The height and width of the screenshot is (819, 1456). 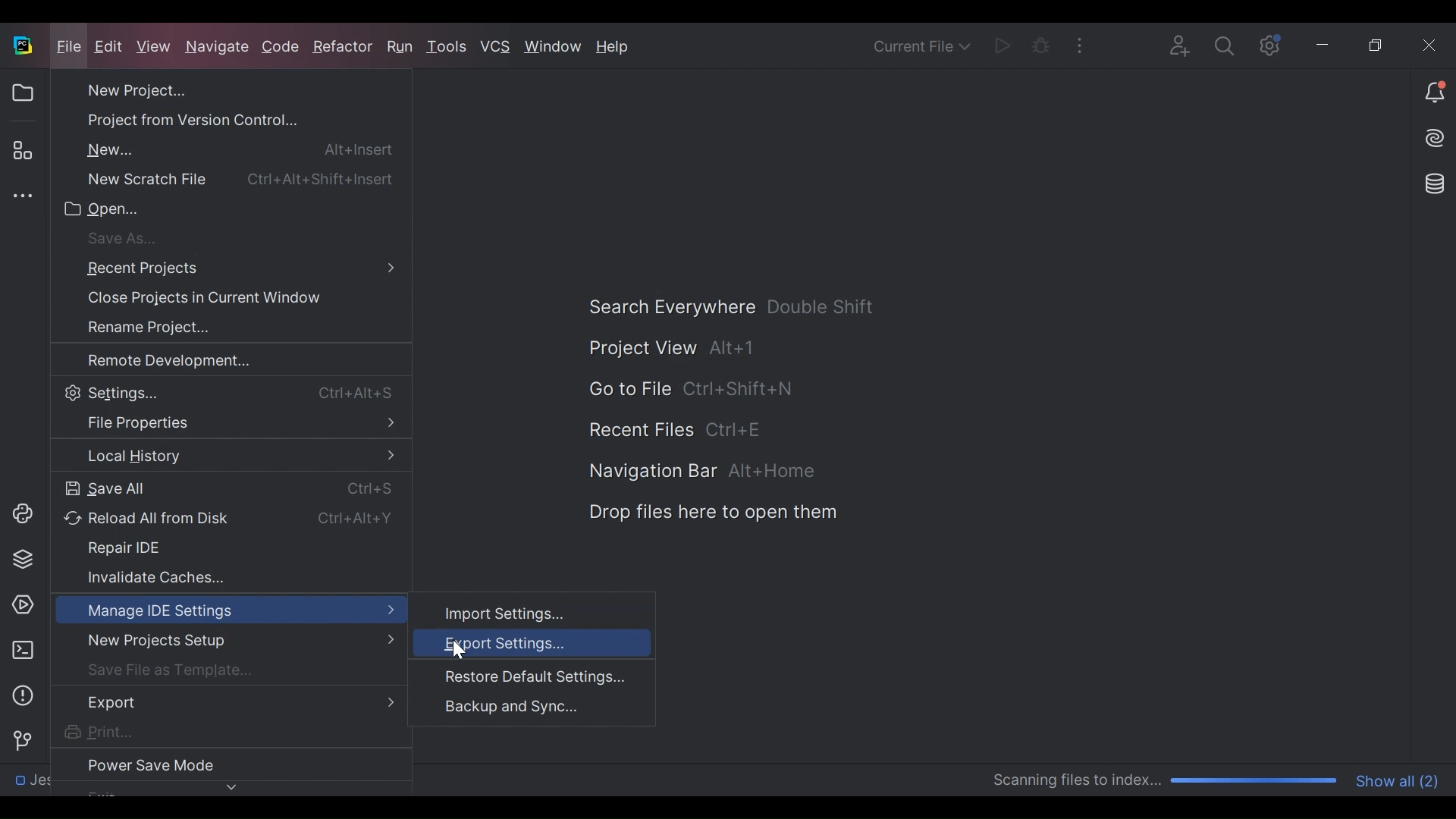 I want to click on File Properties, so click(x=224, y=422).